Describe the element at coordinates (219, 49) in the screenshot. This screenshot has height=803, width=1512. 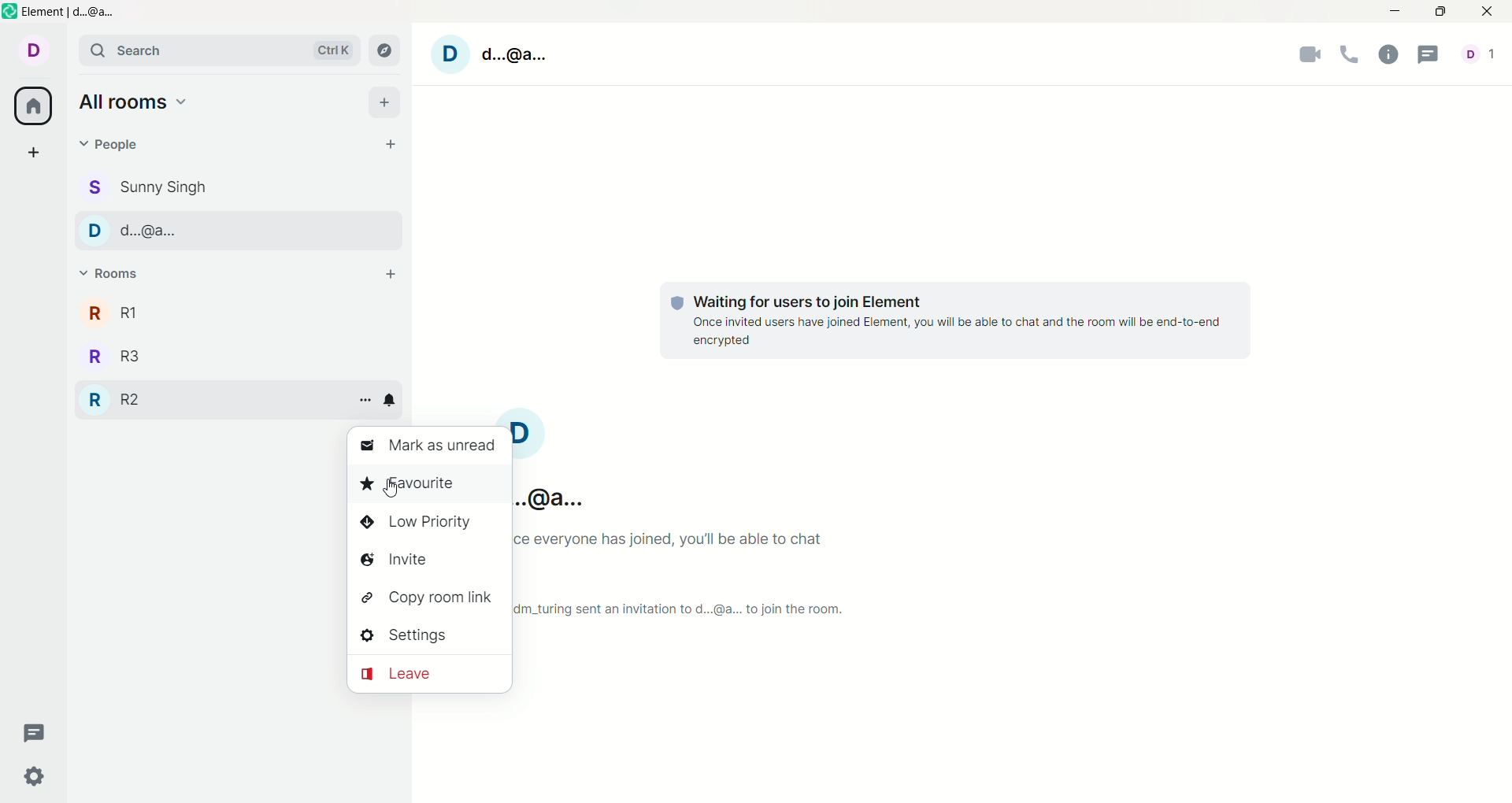
I see `search` at that location.